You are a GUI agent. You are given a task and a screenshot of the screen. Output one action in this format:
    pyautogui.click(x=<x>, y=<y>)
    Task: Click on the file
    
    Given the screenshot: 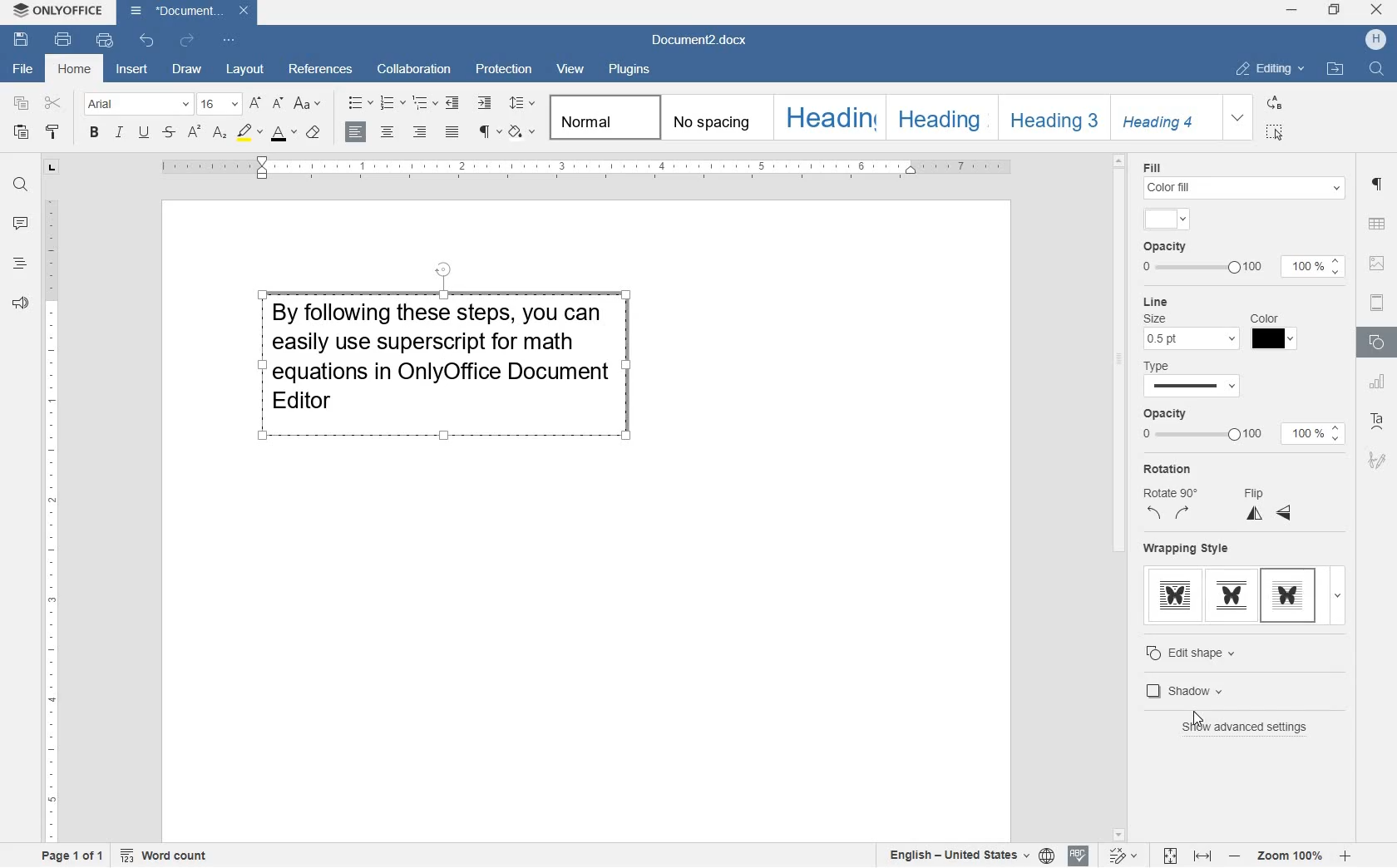 What is the action you would take?
    pyautogui.click(x=21, y=70)
    